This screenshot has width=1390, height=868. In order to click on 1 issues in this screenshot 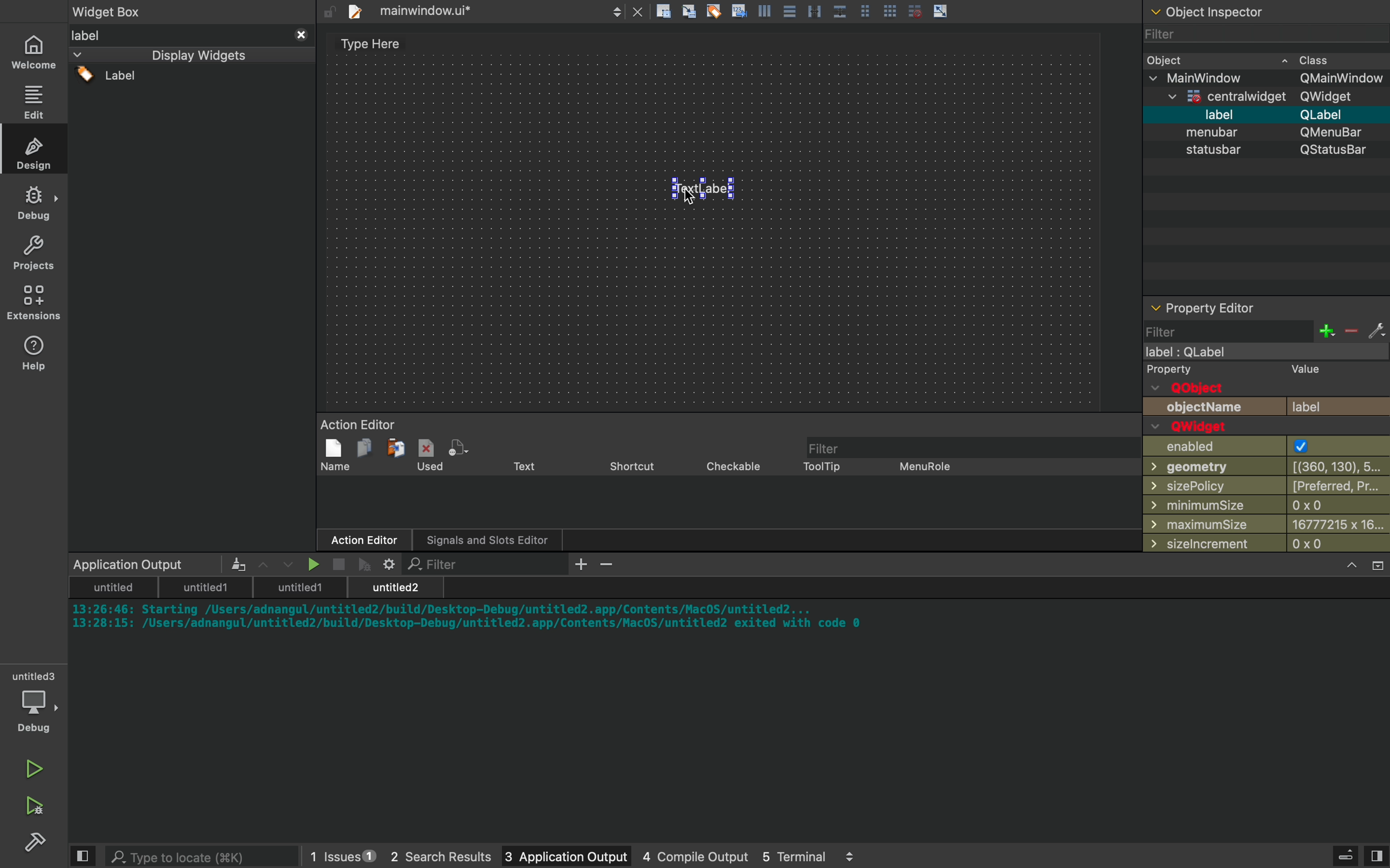, I will do `click(335, 854)`.